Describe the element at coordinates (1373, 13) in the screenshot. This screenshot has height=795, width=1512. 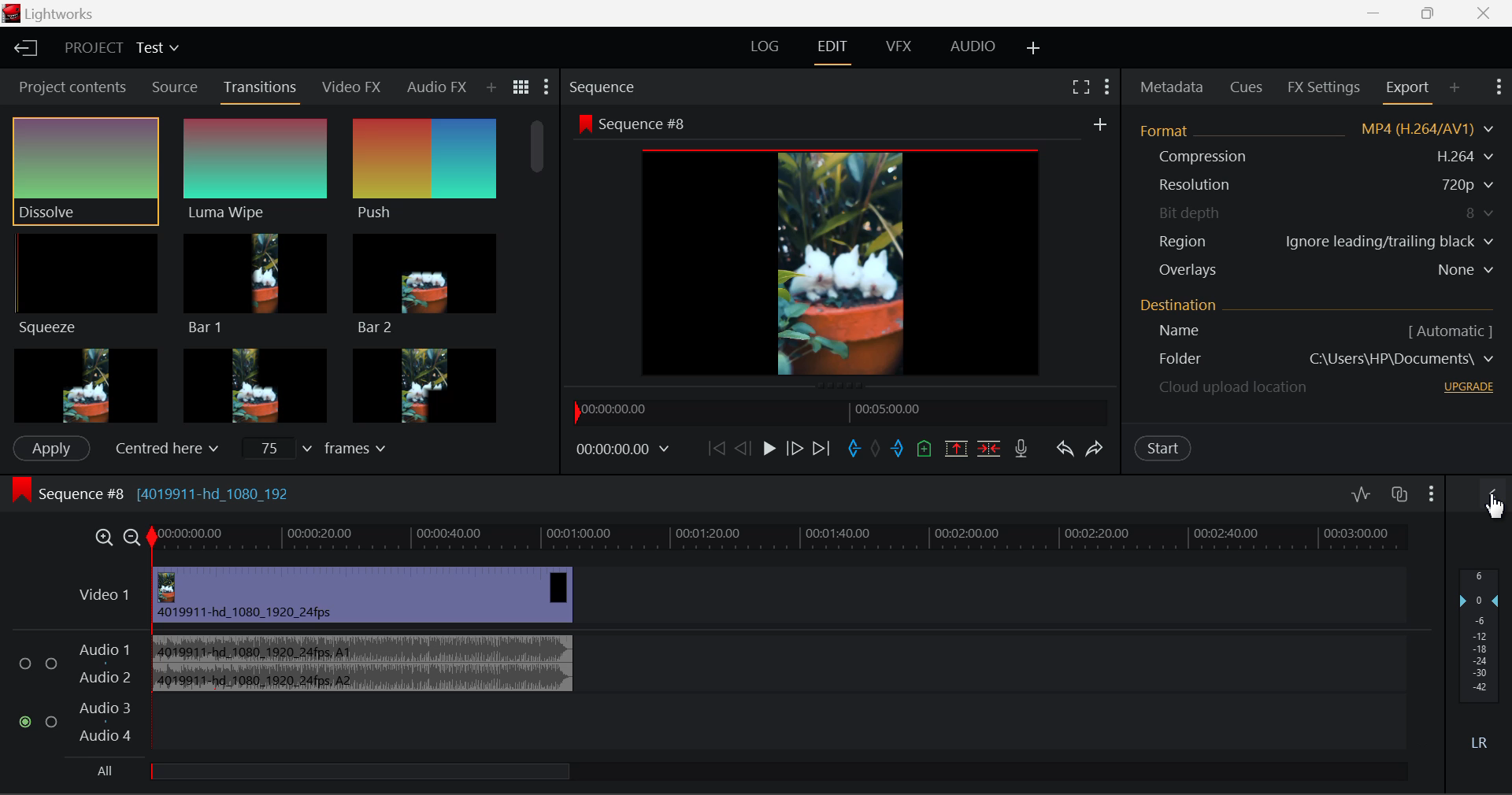
I see `Restore Down` at that location.